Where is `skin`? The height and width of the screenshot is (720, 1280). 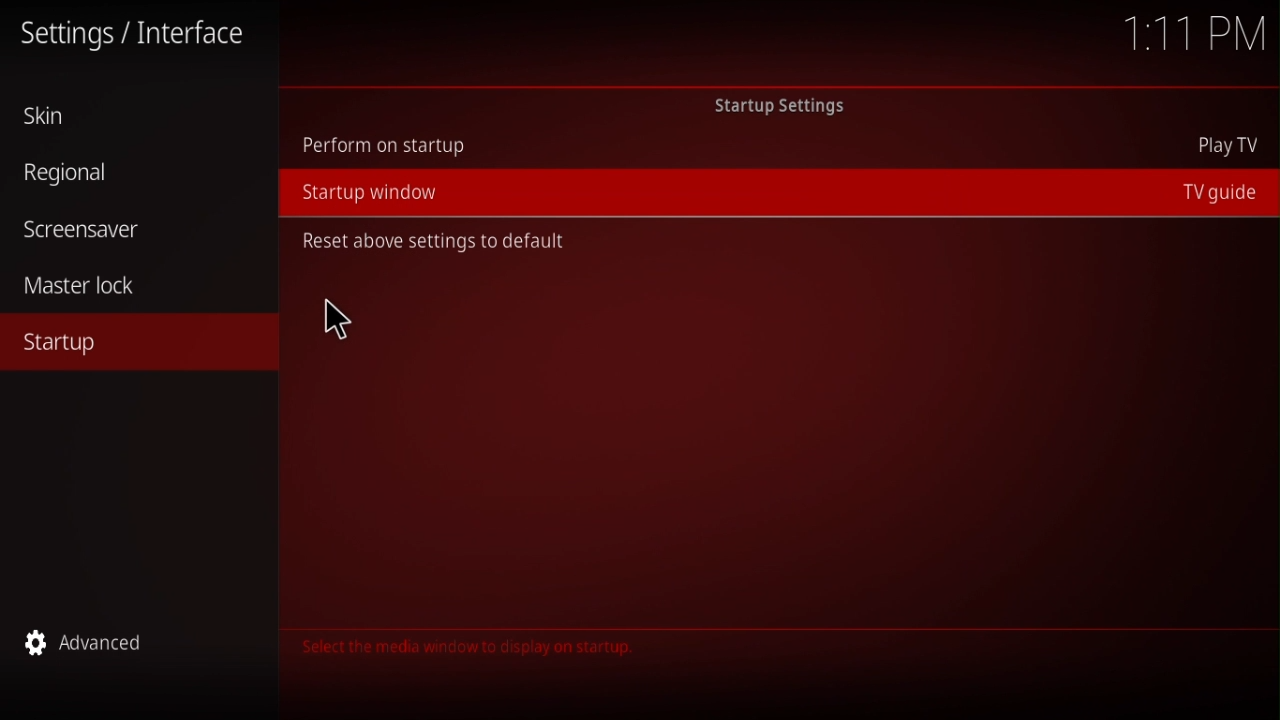 skin is located at coordinates (55, 117).